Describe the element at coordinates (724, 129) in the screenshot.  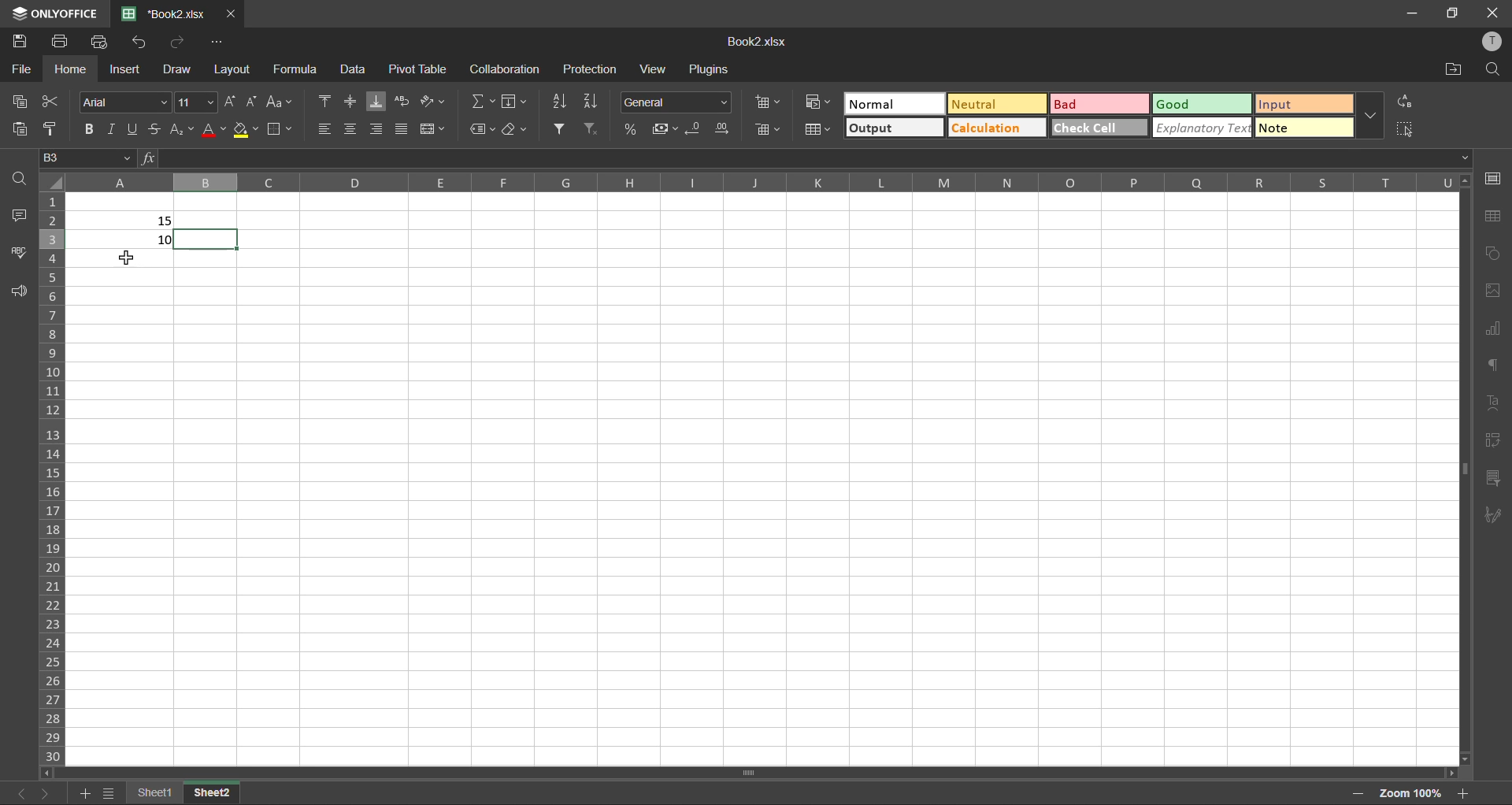
I see `increase decimal` at that location.